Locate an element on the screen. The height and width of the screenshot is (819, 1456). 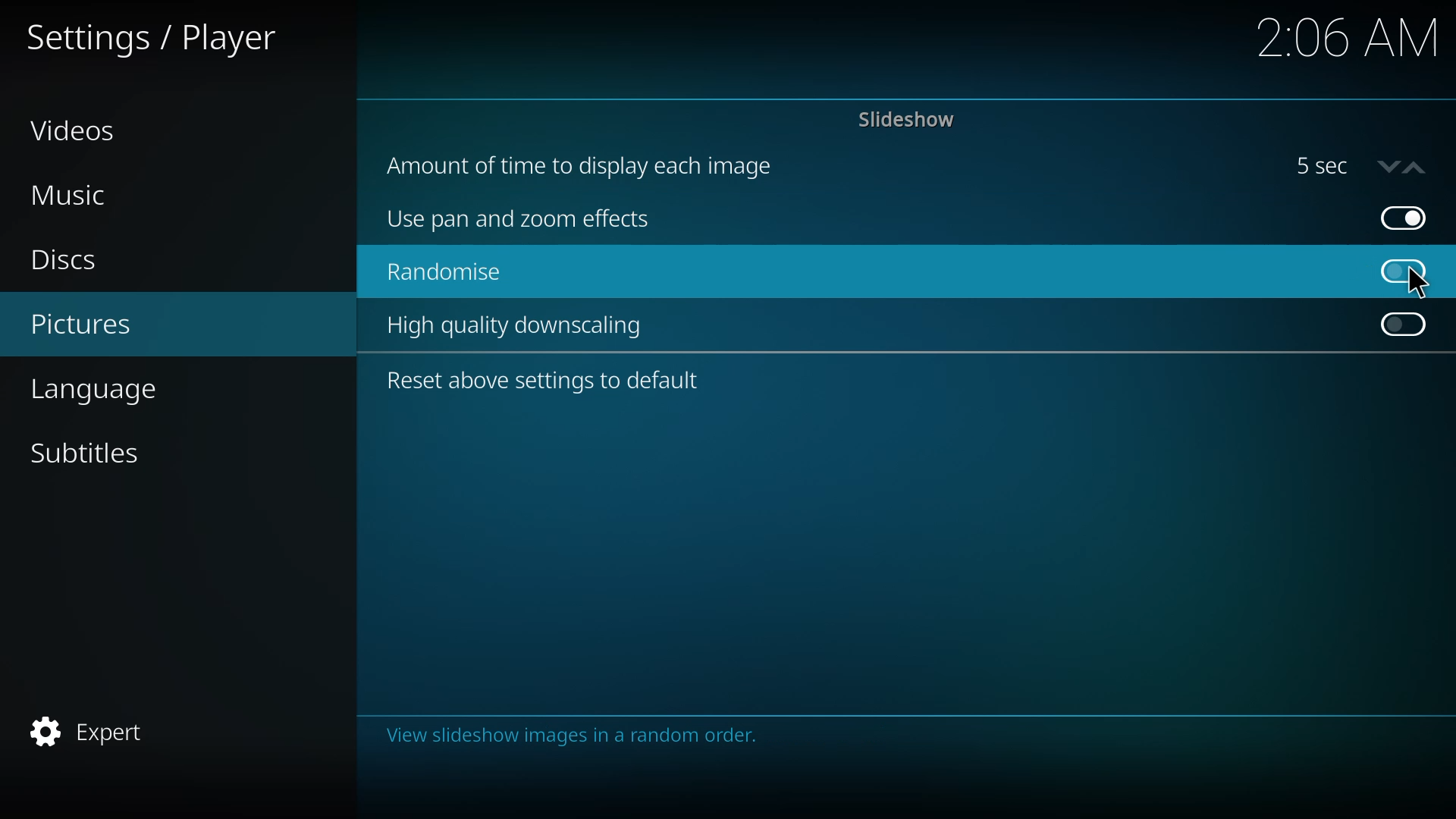
amount of time to display each image is located at coordinates (589, 167).